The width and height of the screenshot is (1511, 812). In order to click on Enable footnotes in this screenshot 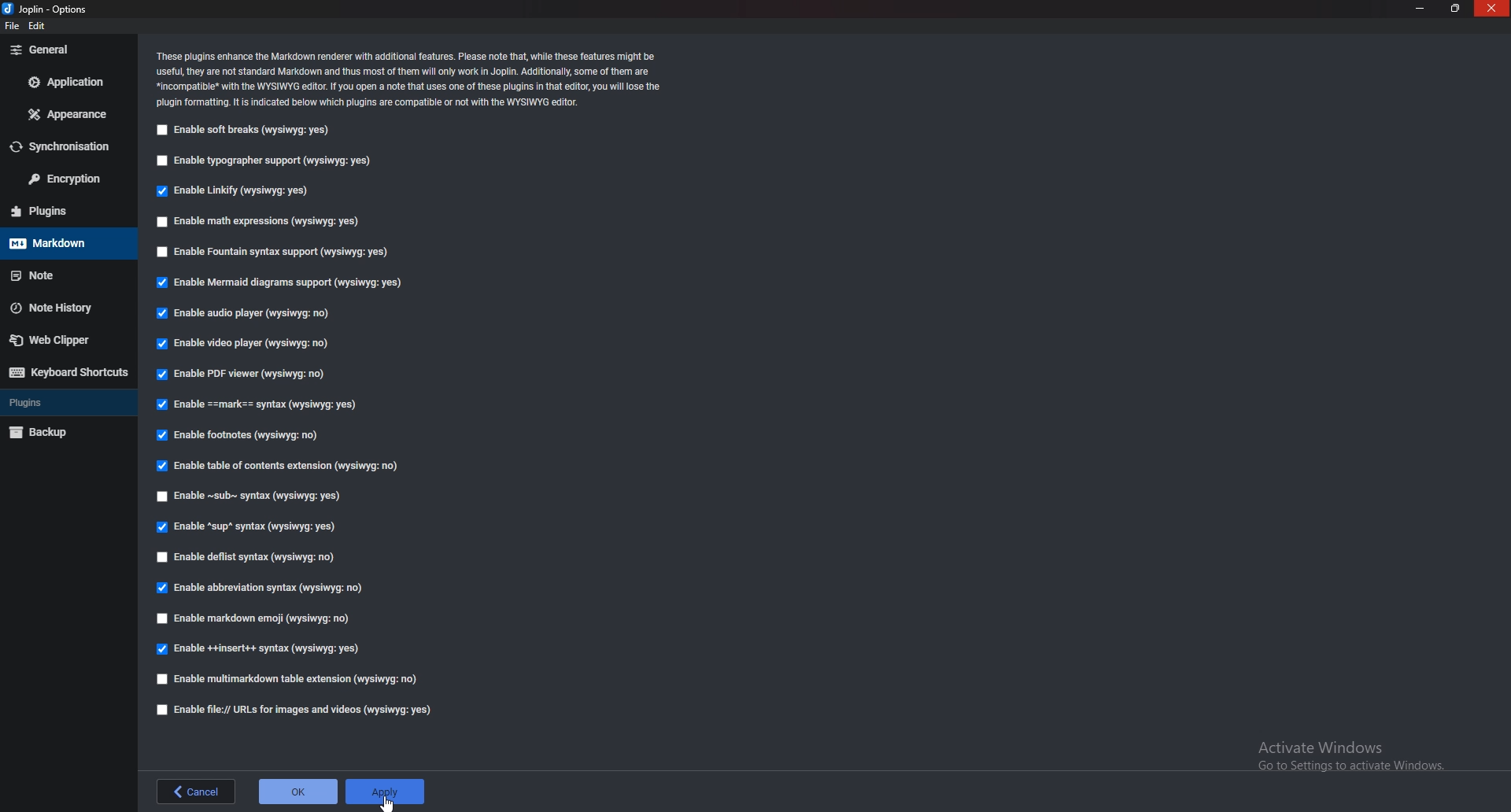, I will do `click(242, 434)`.